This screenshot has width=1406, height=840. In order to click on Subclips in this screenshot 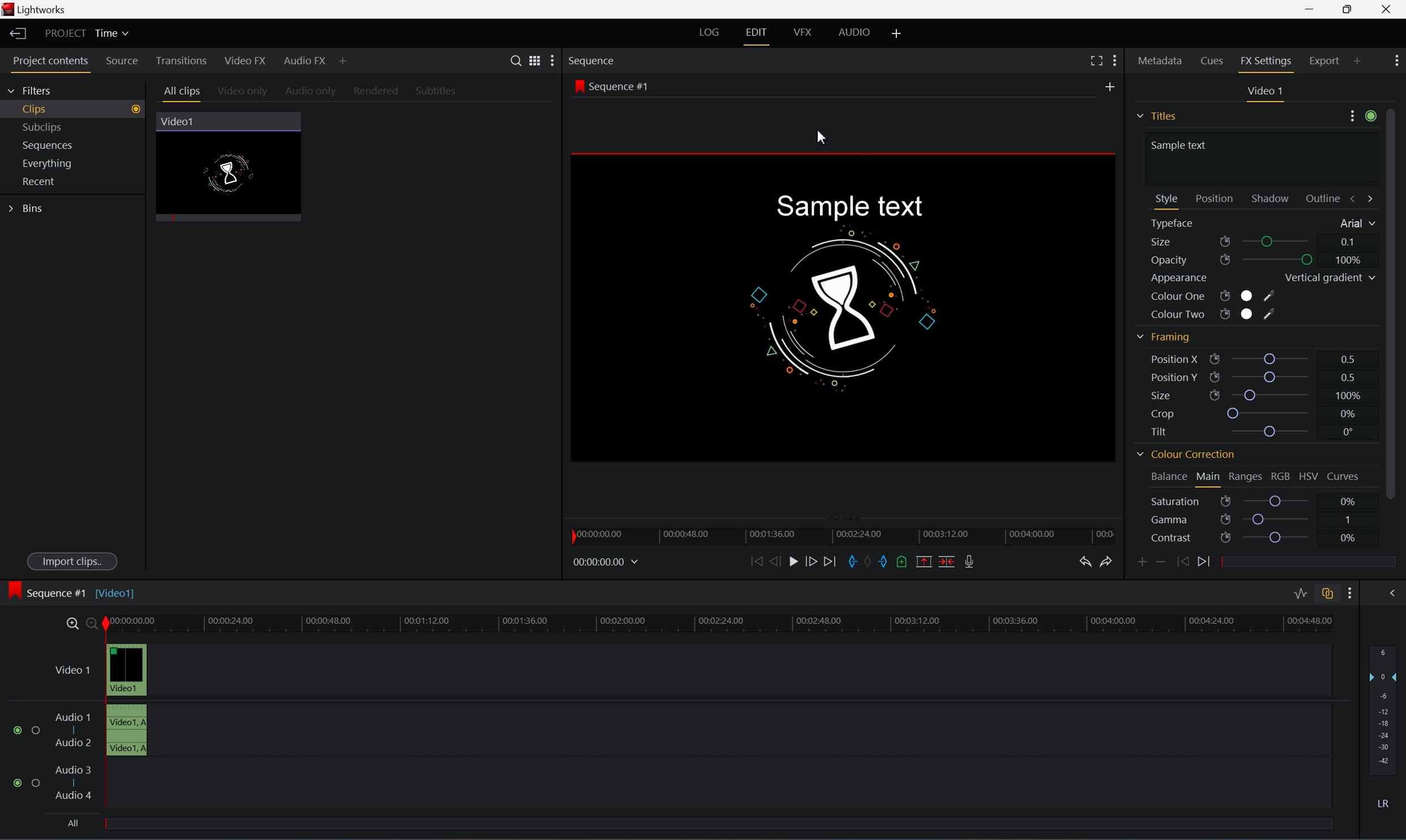, I will do `click(45, 125)`.